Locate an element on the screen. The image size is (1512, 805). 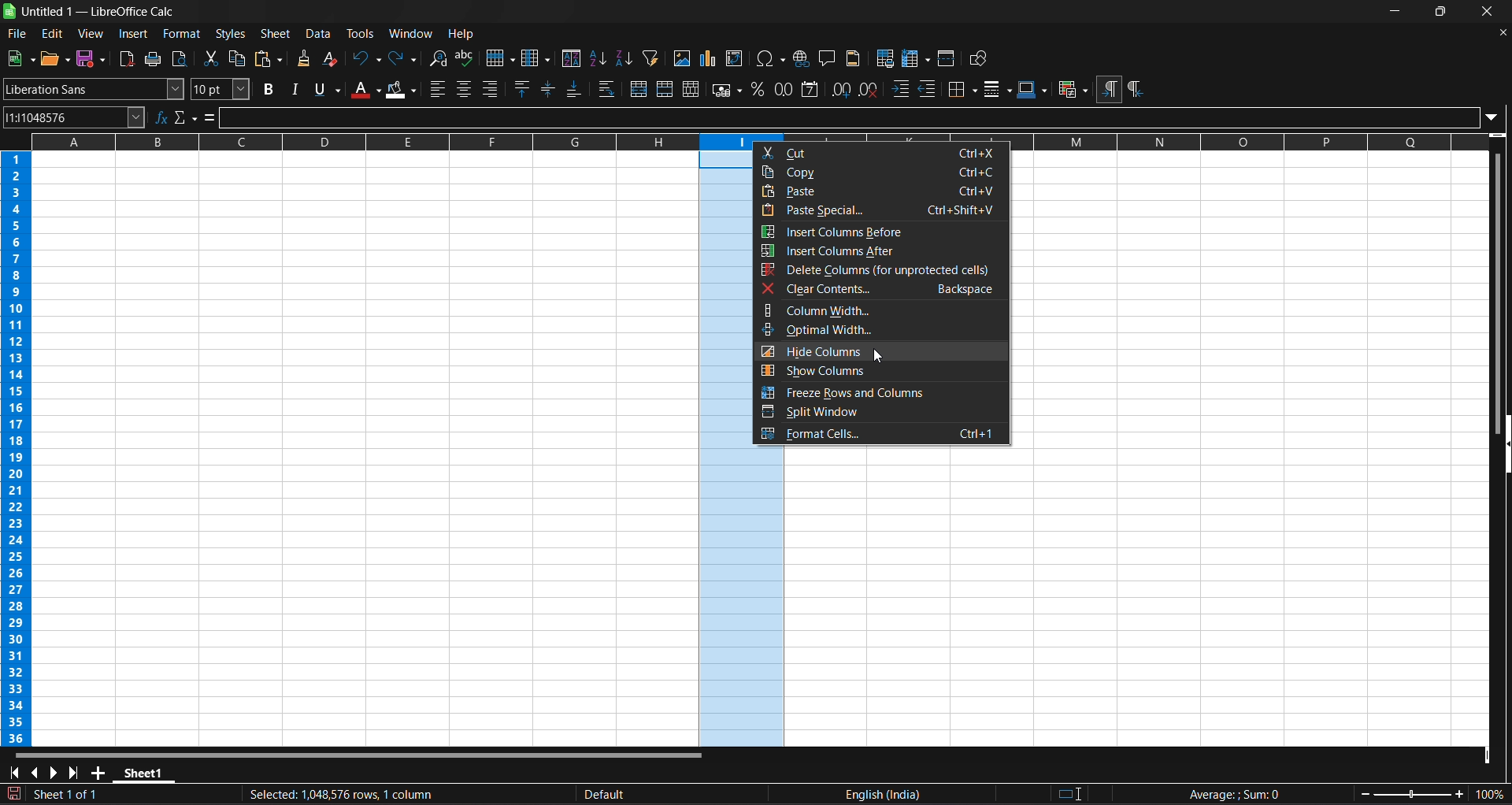
format is located at coordinates (181, 34).